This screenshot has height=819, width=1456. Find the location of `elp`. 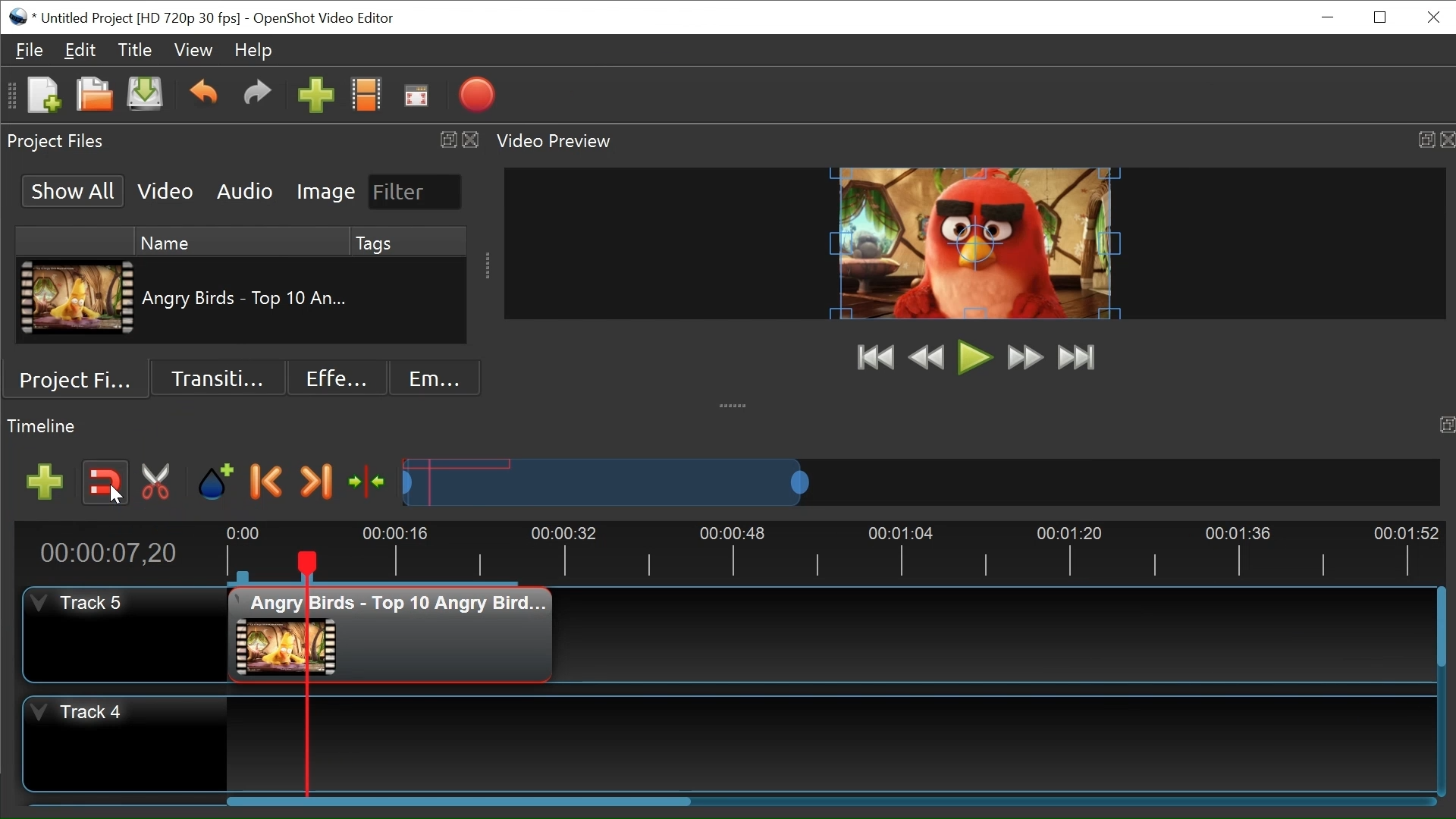

elp is located at coordinates (253, 50).